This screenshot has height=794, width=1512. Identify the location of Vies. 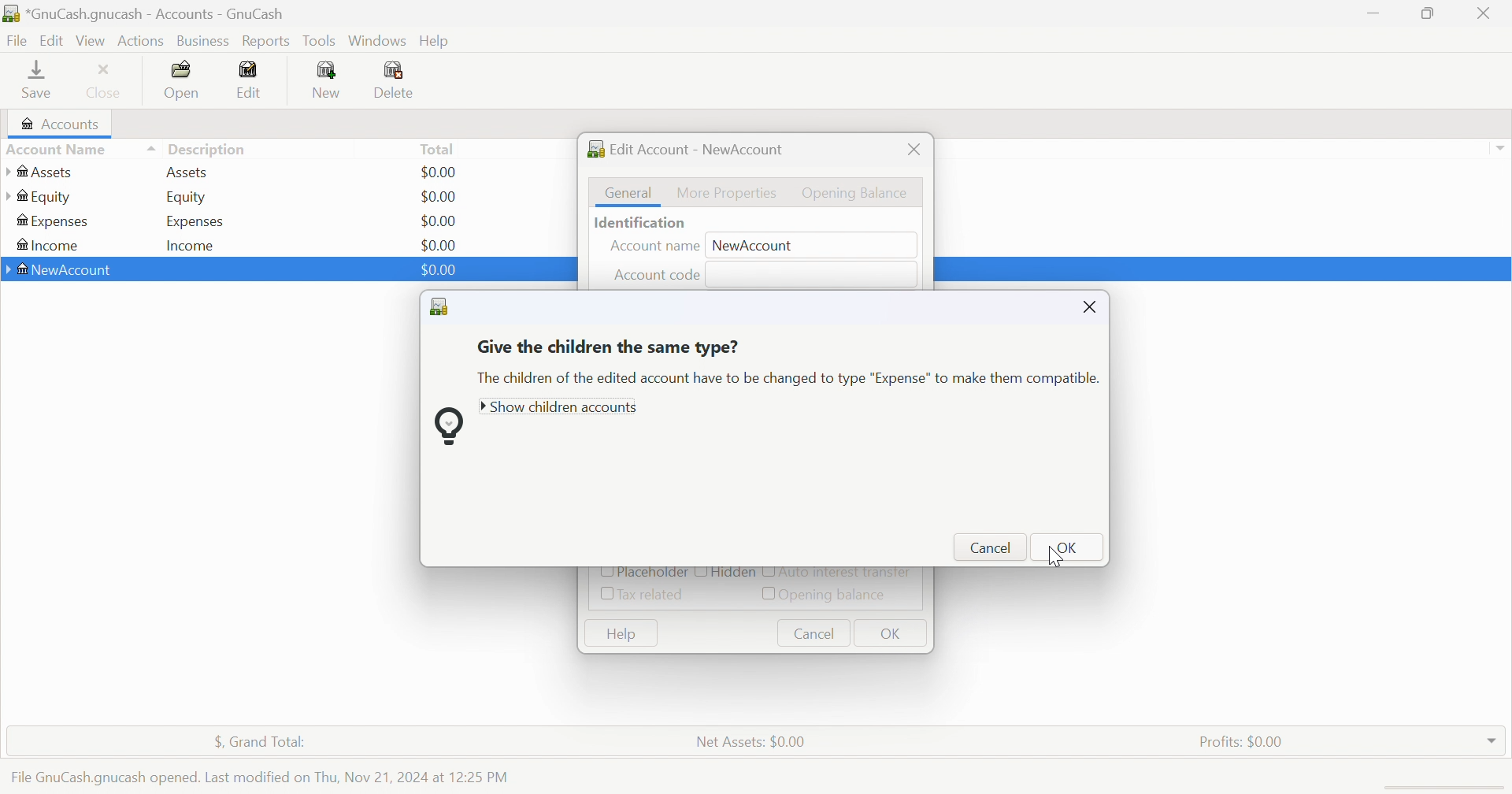
(91, 40).